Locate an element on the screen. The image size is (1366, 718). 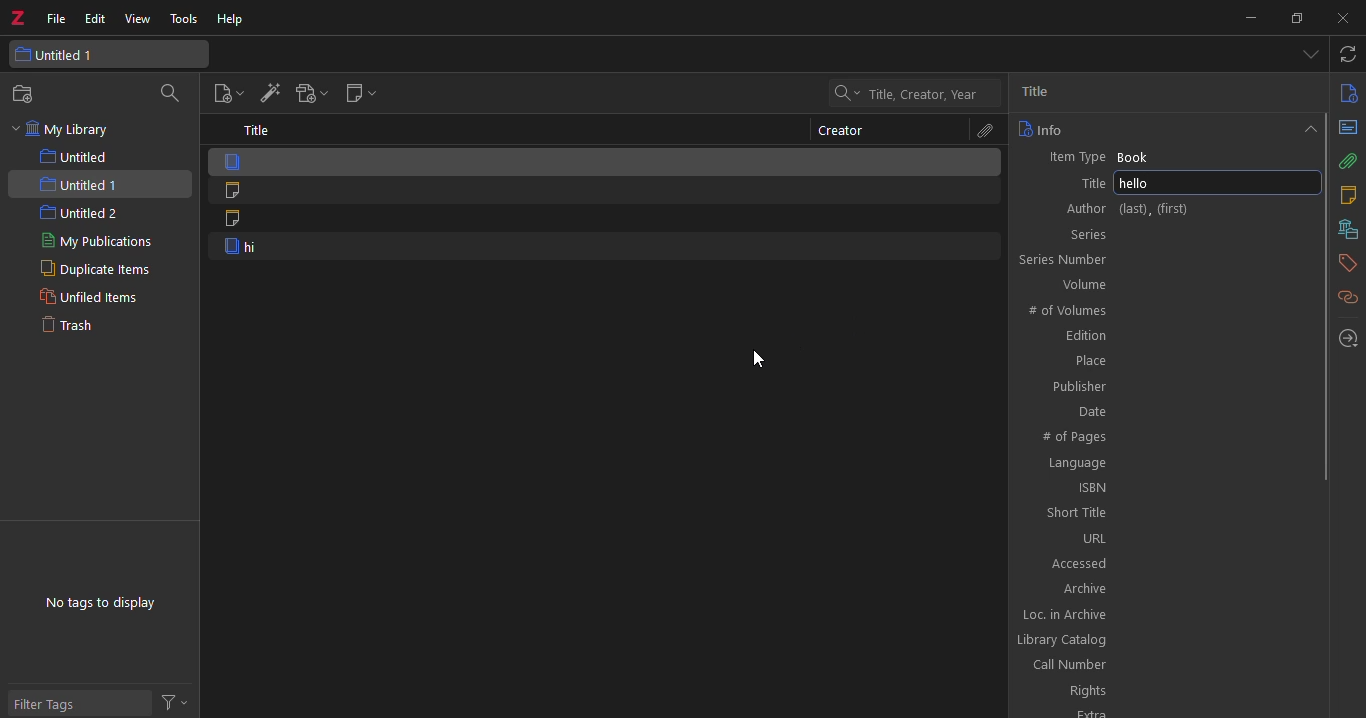
attach is located at coordinates (1349, 161).